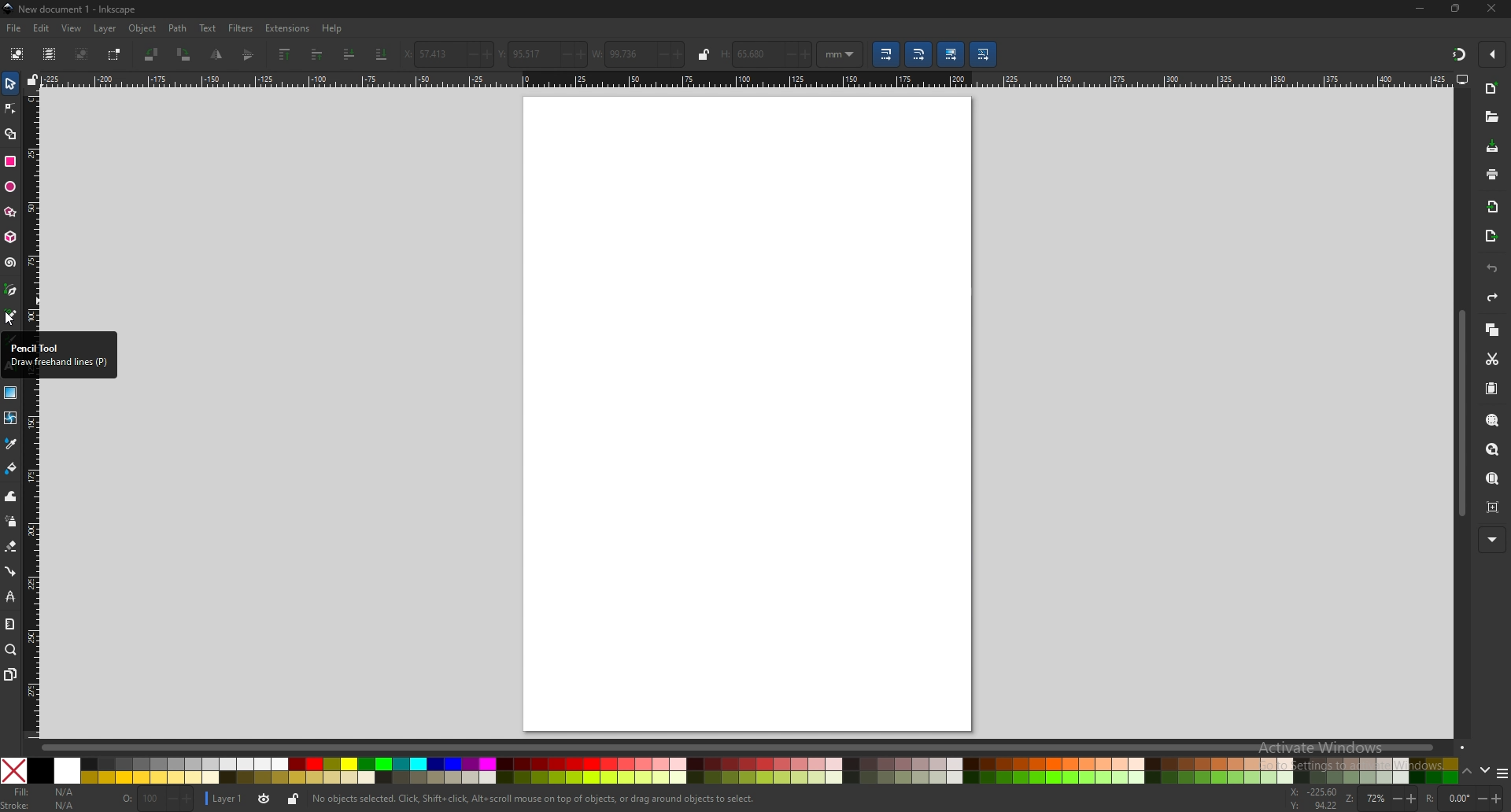  I want to click on paste, so click(1491, 389).